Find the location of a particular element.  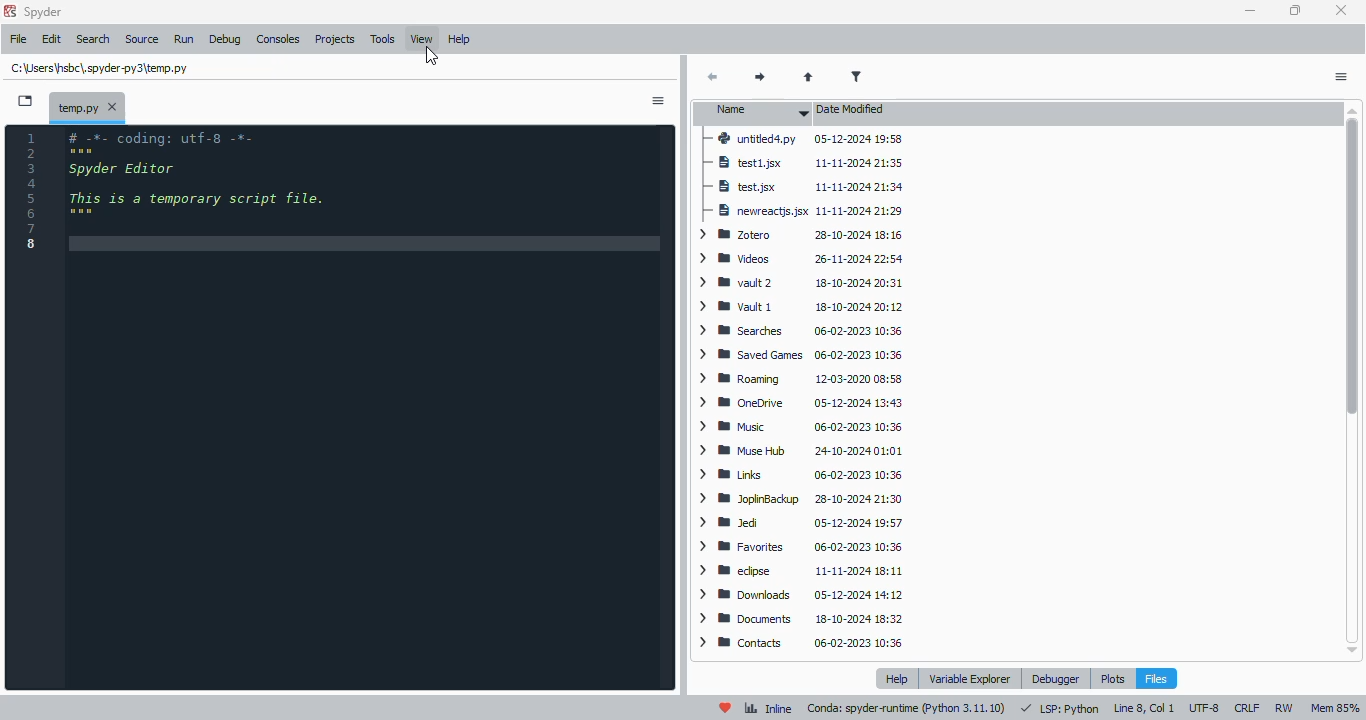

Muse Hub is located at coordinates (805, 451).